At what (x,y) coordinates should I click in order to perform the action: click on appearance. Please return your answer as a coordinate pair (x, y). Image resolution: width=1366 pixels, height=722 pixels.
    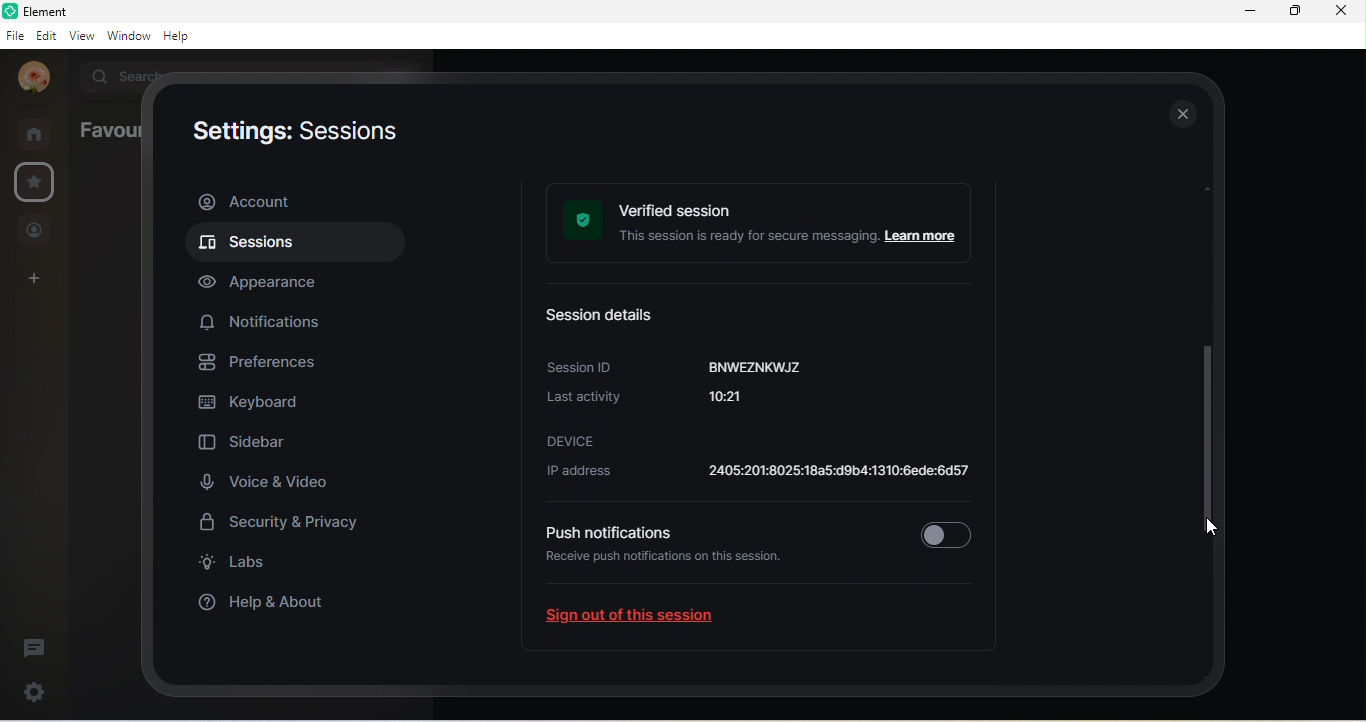
    Looking at the image, I should click on (269, 282).